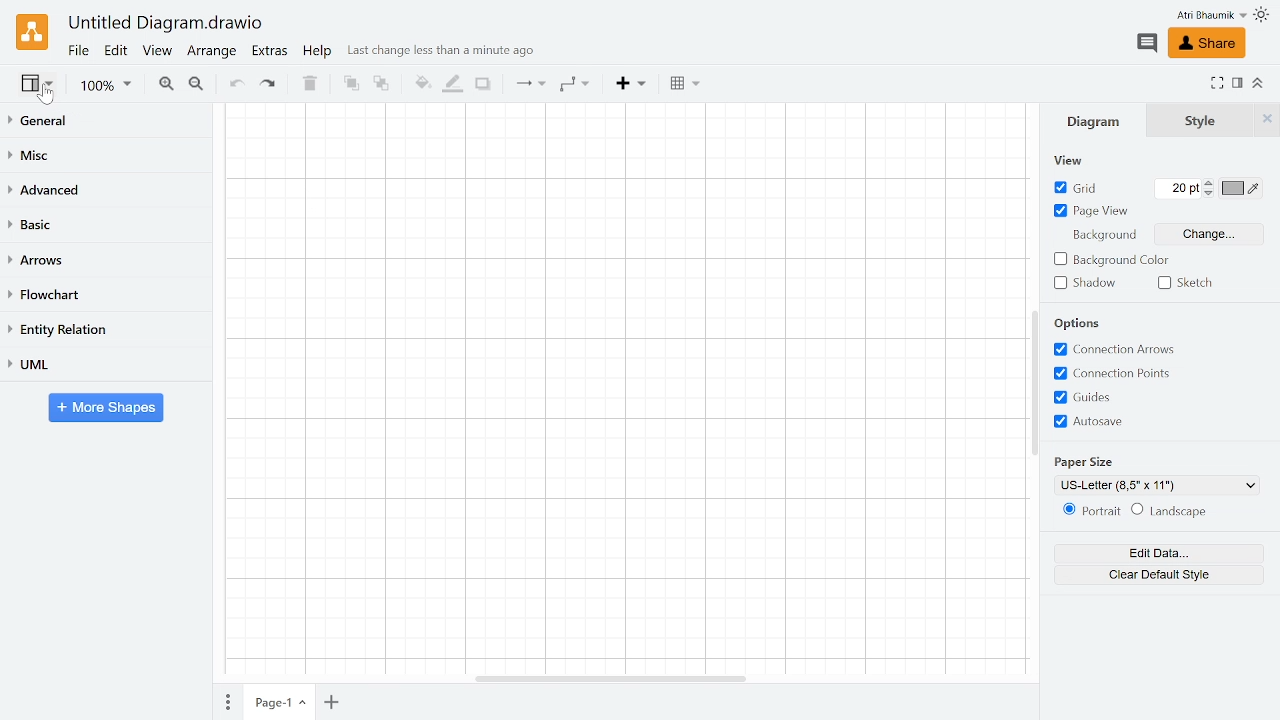  What do you see at coordinates (101, 190) in the screenshot?
I see `Advanced` at bounding box center [101, 190].